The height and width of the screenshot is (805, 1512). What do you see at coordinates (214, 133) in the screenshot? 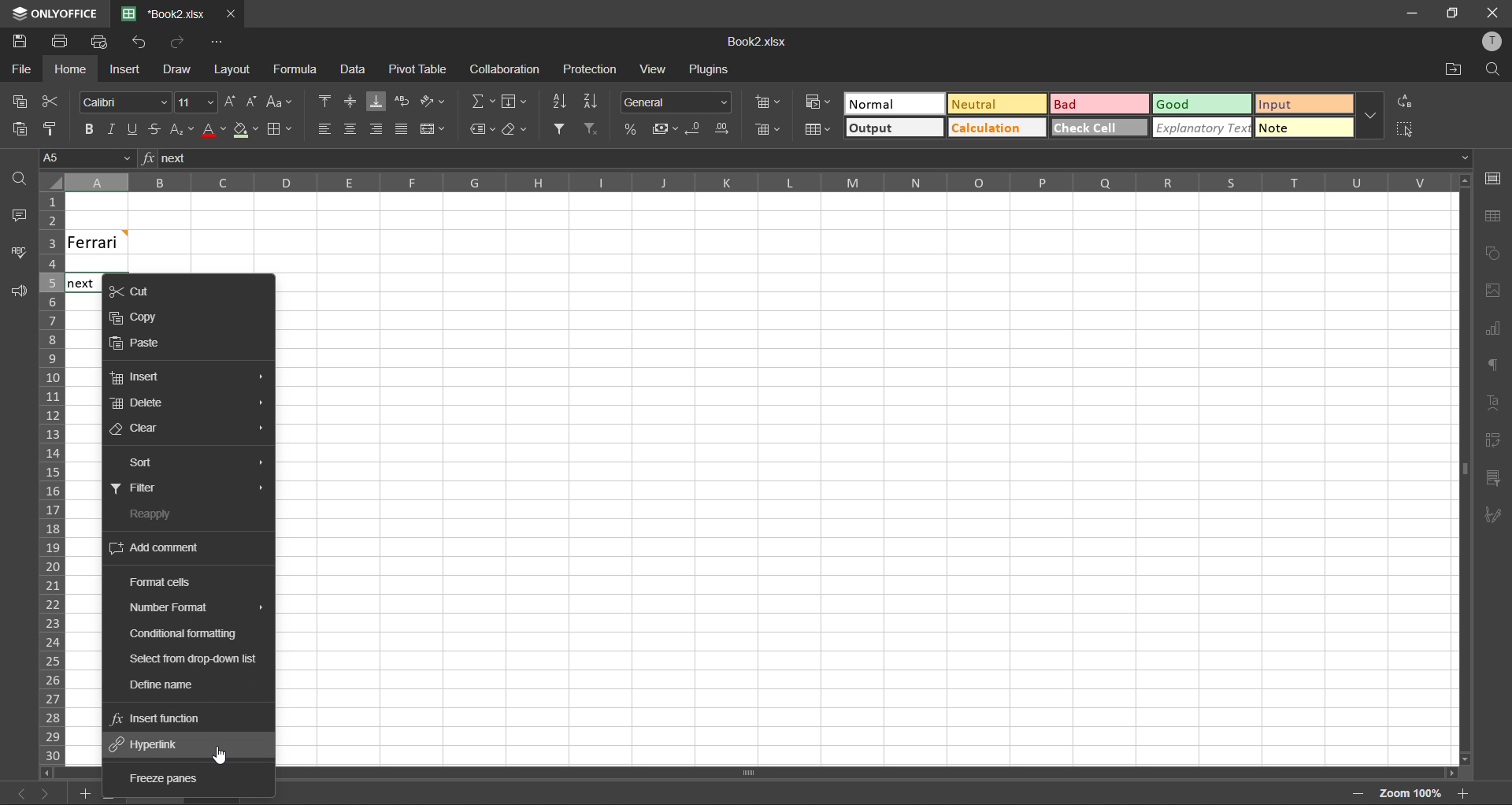
I see `font color` at bounding box center [214, 133].